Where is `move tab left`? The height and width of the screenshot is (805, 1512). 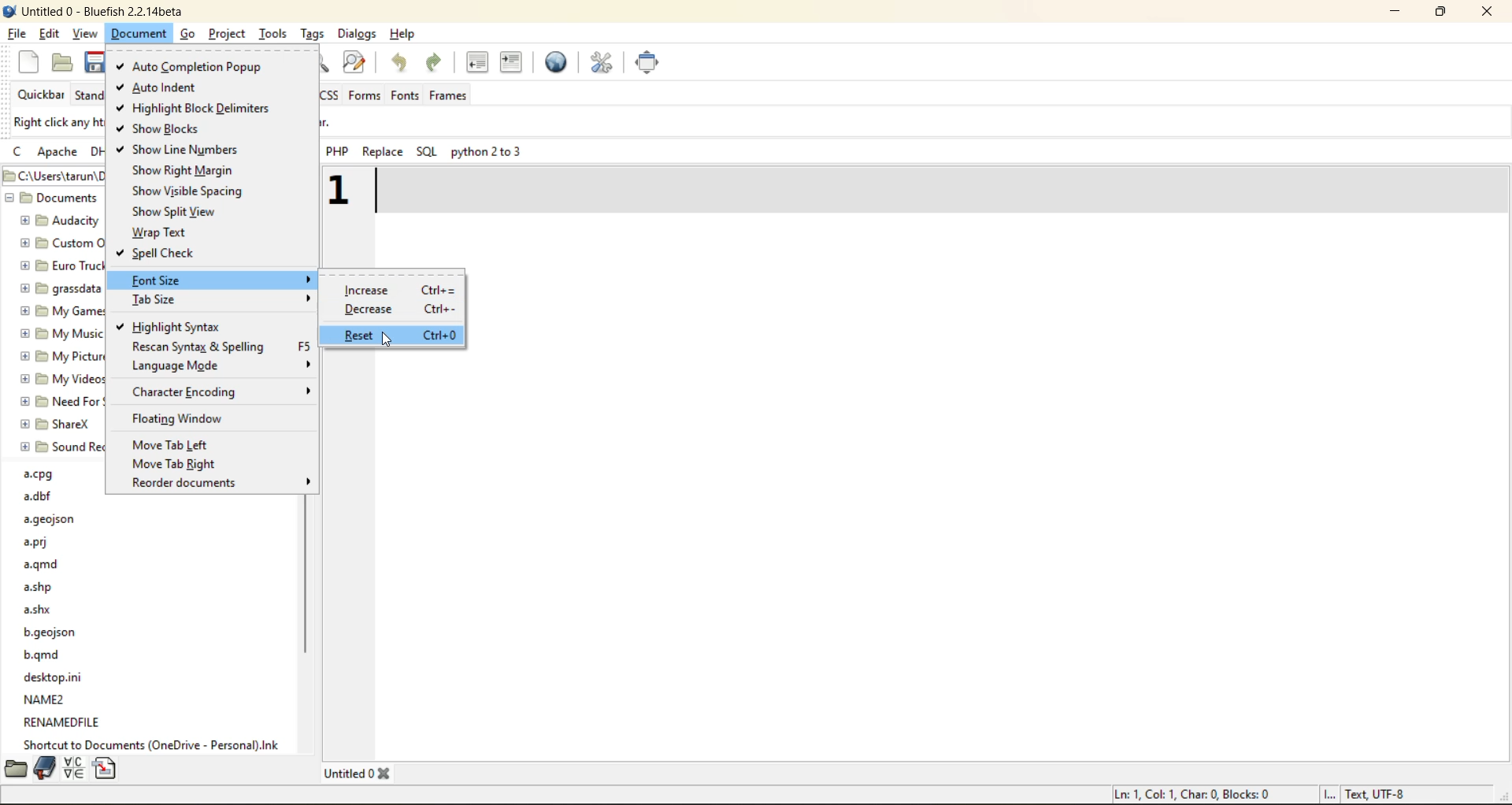 move tab left is located at coordinates (173, 446).